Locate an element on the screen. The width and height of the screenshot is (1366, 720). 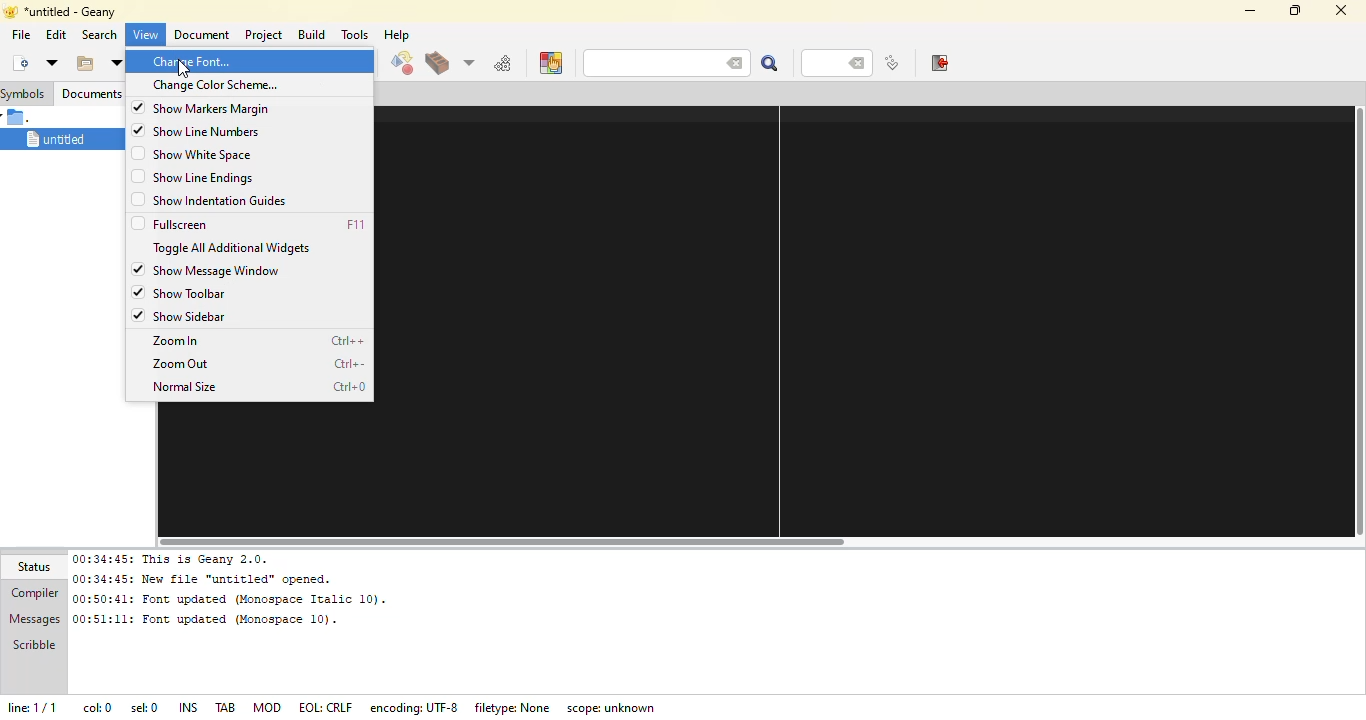
documents is located at coordinates (91, 92).